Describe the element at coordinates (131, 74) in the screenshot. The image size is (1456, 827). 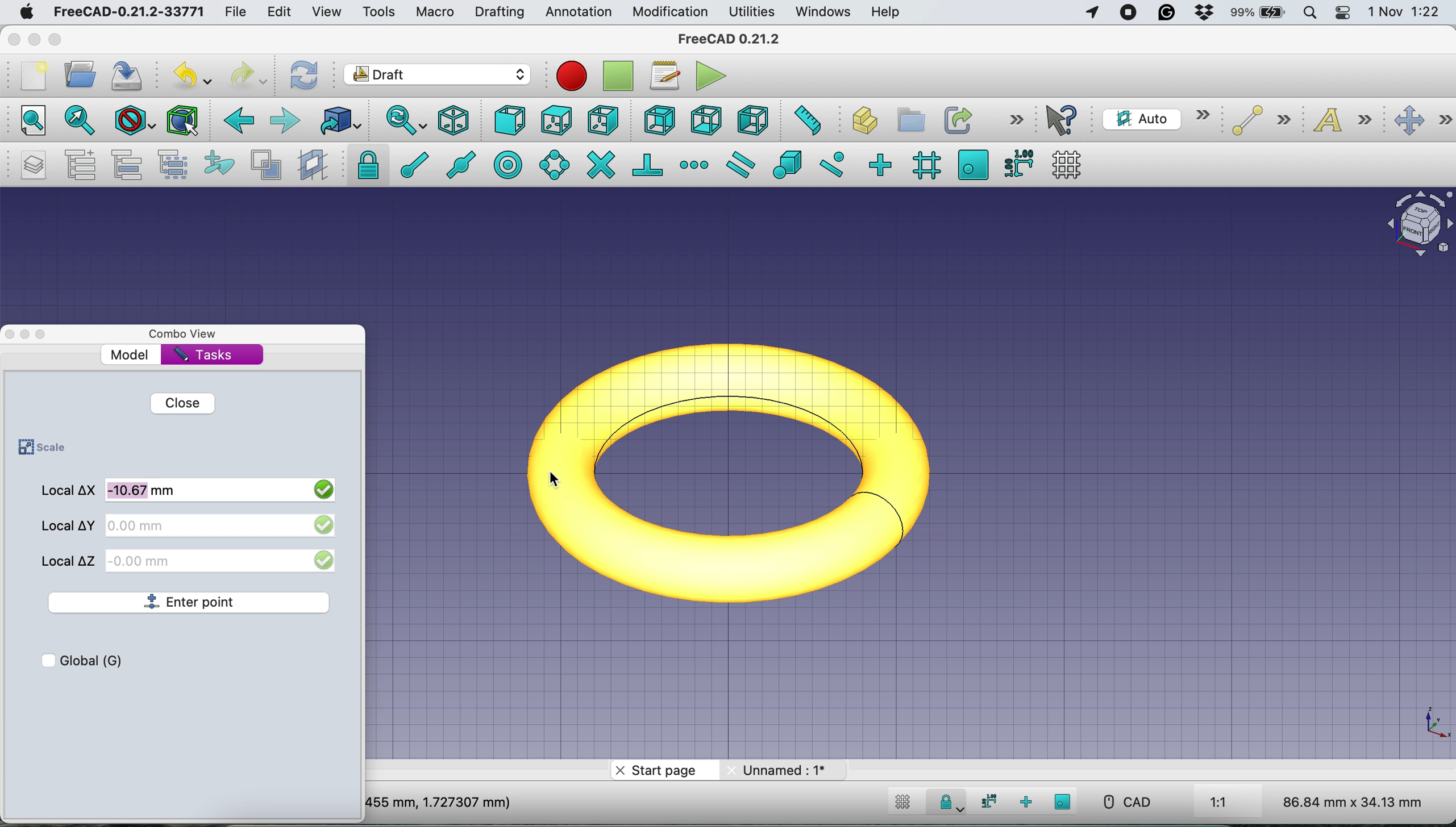
I see `save` at that location.